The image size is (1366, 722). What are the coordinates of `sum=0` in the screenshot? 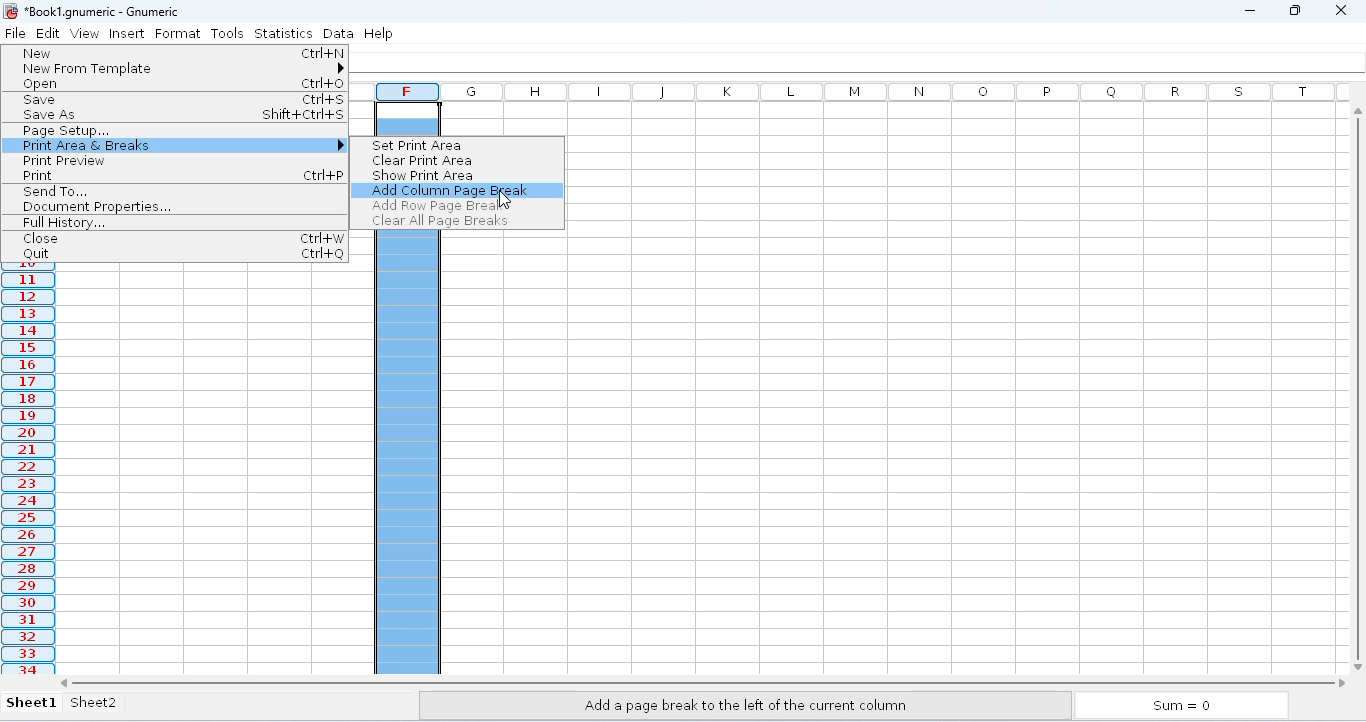 It's located at (1184, 707).